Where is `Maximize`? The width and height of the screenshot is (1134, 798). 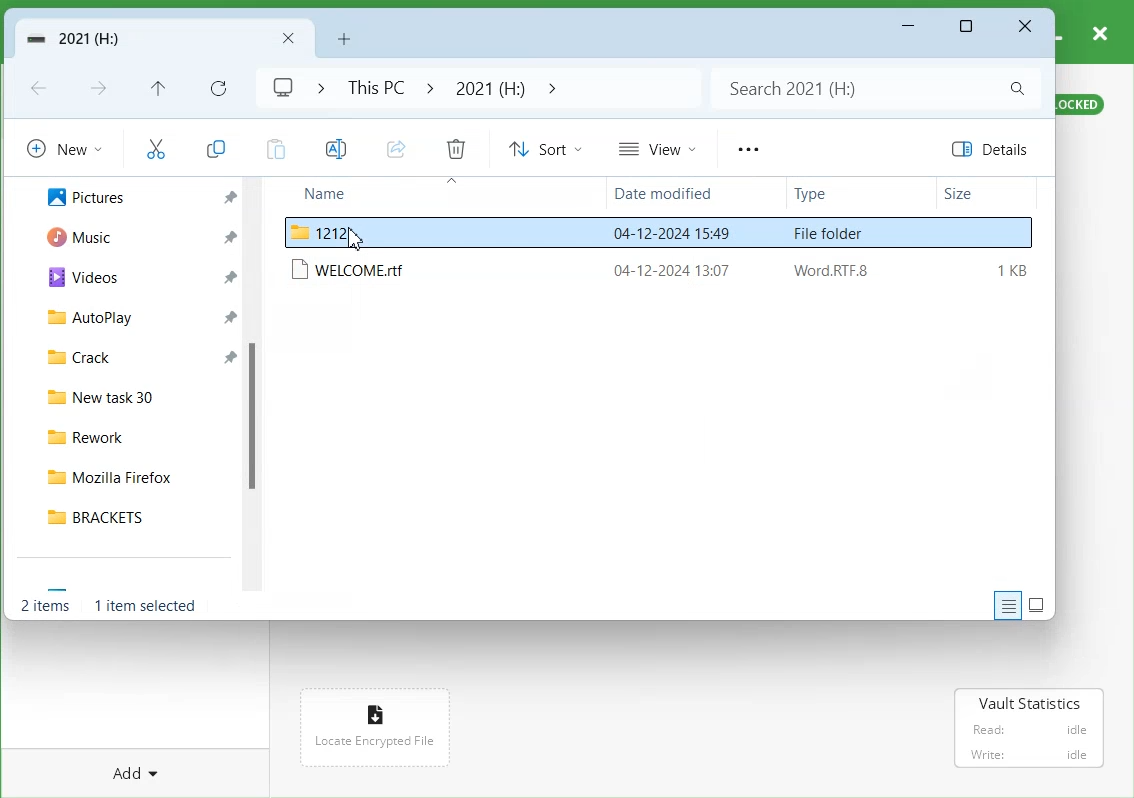
Maximize is located at coordinates (968, 27).